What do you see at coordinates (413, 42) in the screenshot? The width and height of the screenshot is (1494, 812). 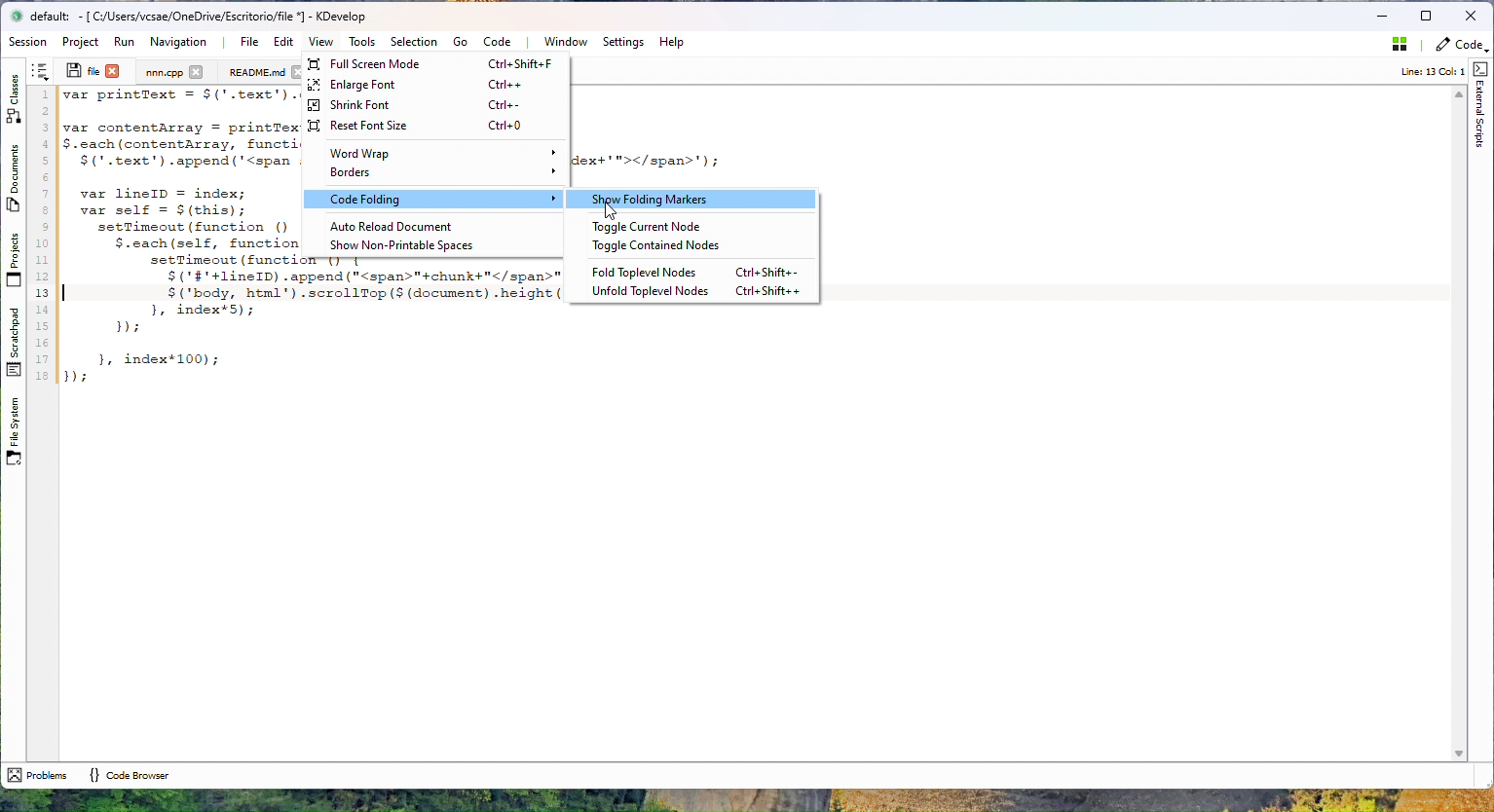 I see `Selection` at bounding box center [413, 42].